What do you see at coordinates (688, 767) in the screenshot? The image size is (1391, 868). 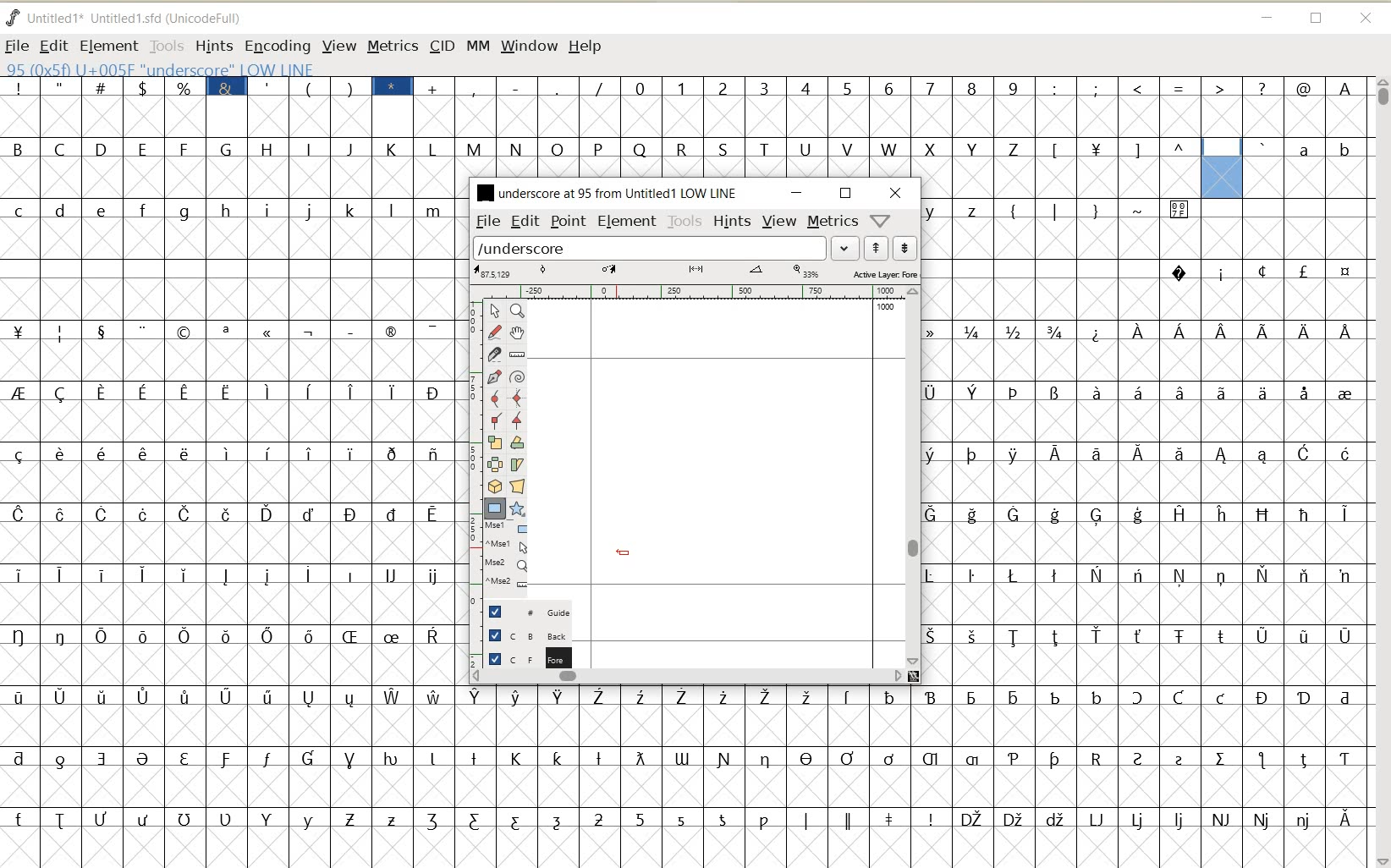 I see `GLYPHY CHARACTERS & NUMBERS` at bounding box center [688, 767].